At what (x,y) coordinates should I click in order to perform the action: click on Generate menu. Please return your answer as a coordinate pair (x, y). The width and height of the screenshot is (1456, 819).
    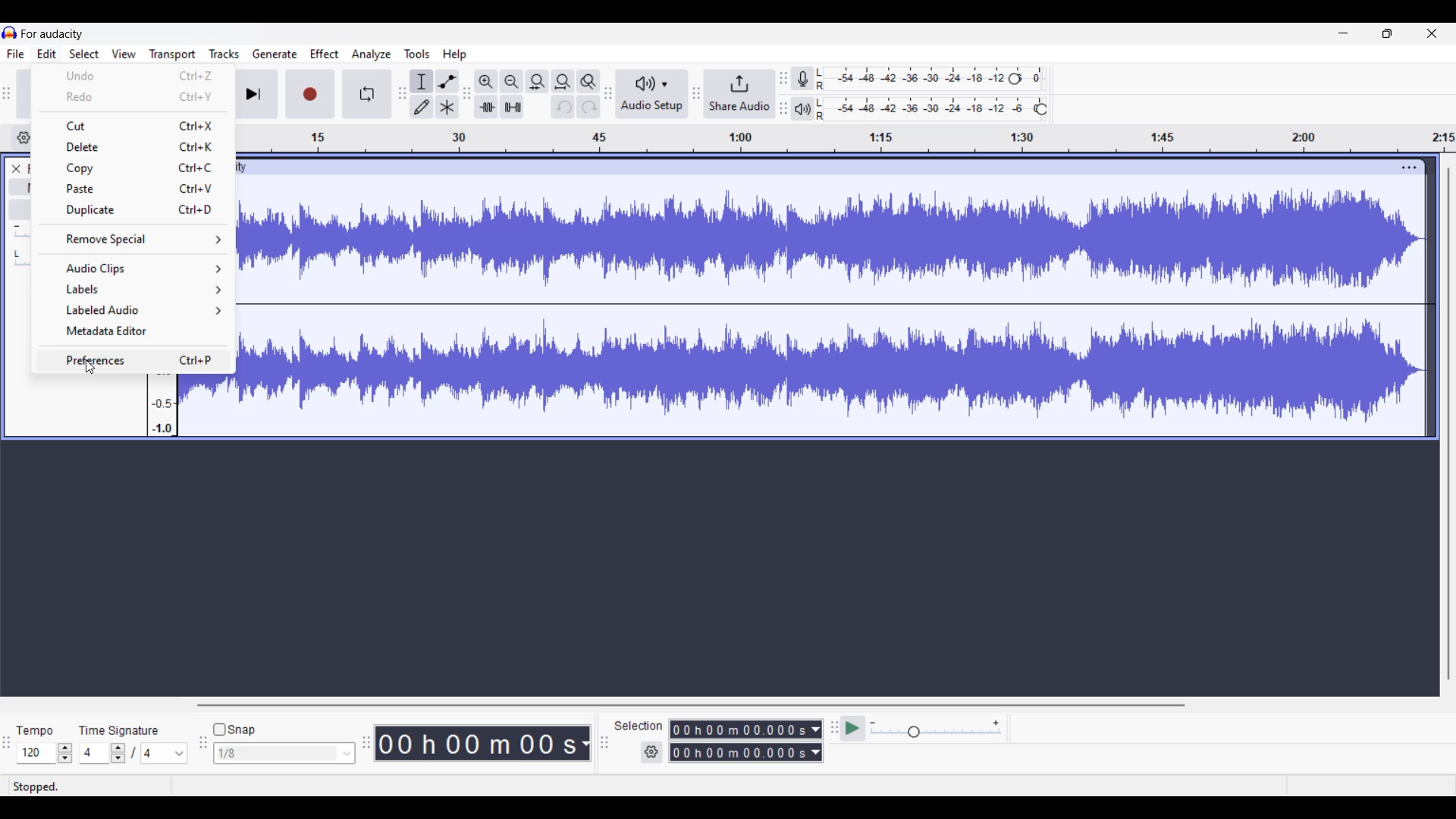
    Looking at the image, I should click on (275, 54).